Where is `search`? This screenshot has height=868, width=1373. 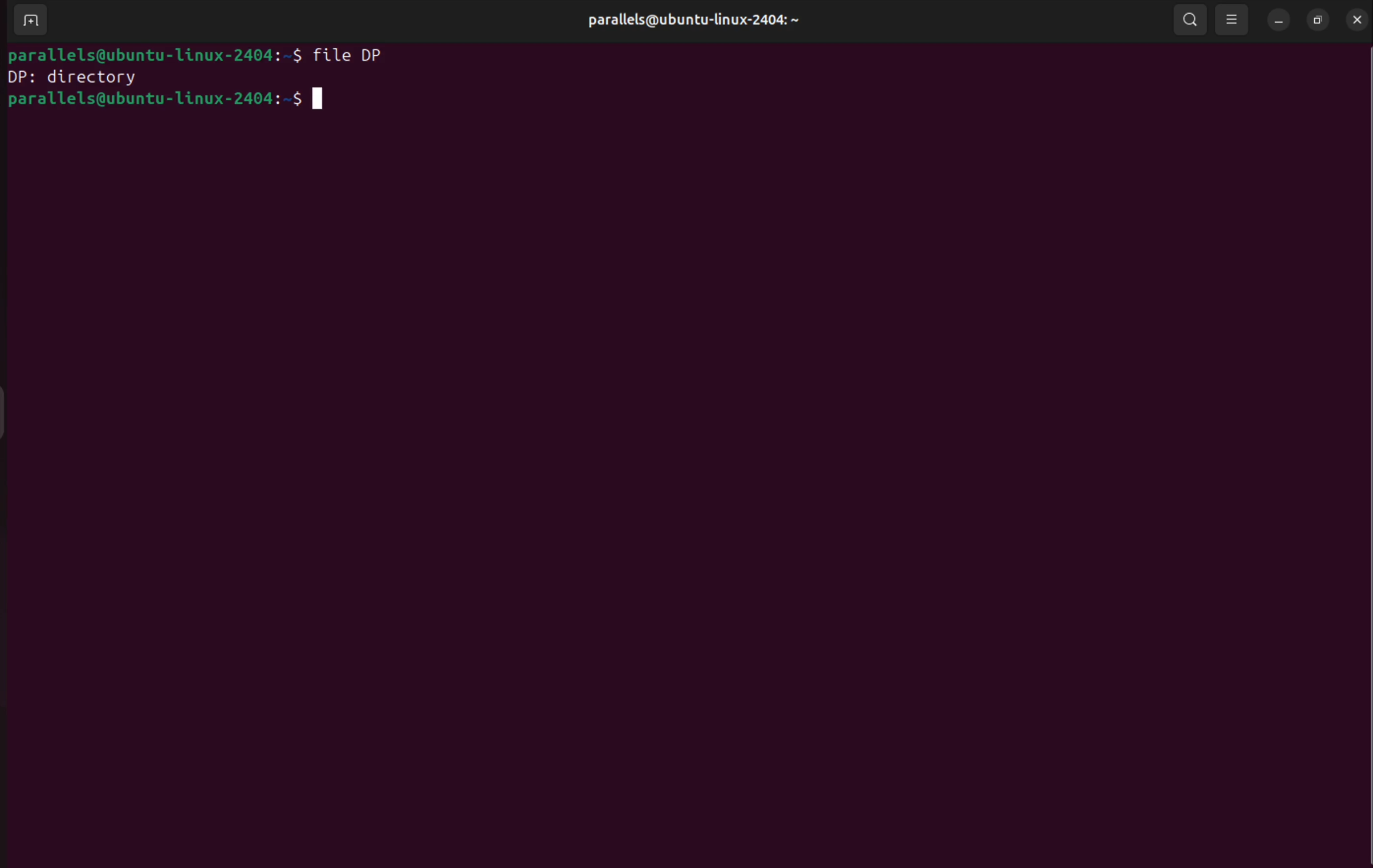 search is located at coordinates (1186, 19).